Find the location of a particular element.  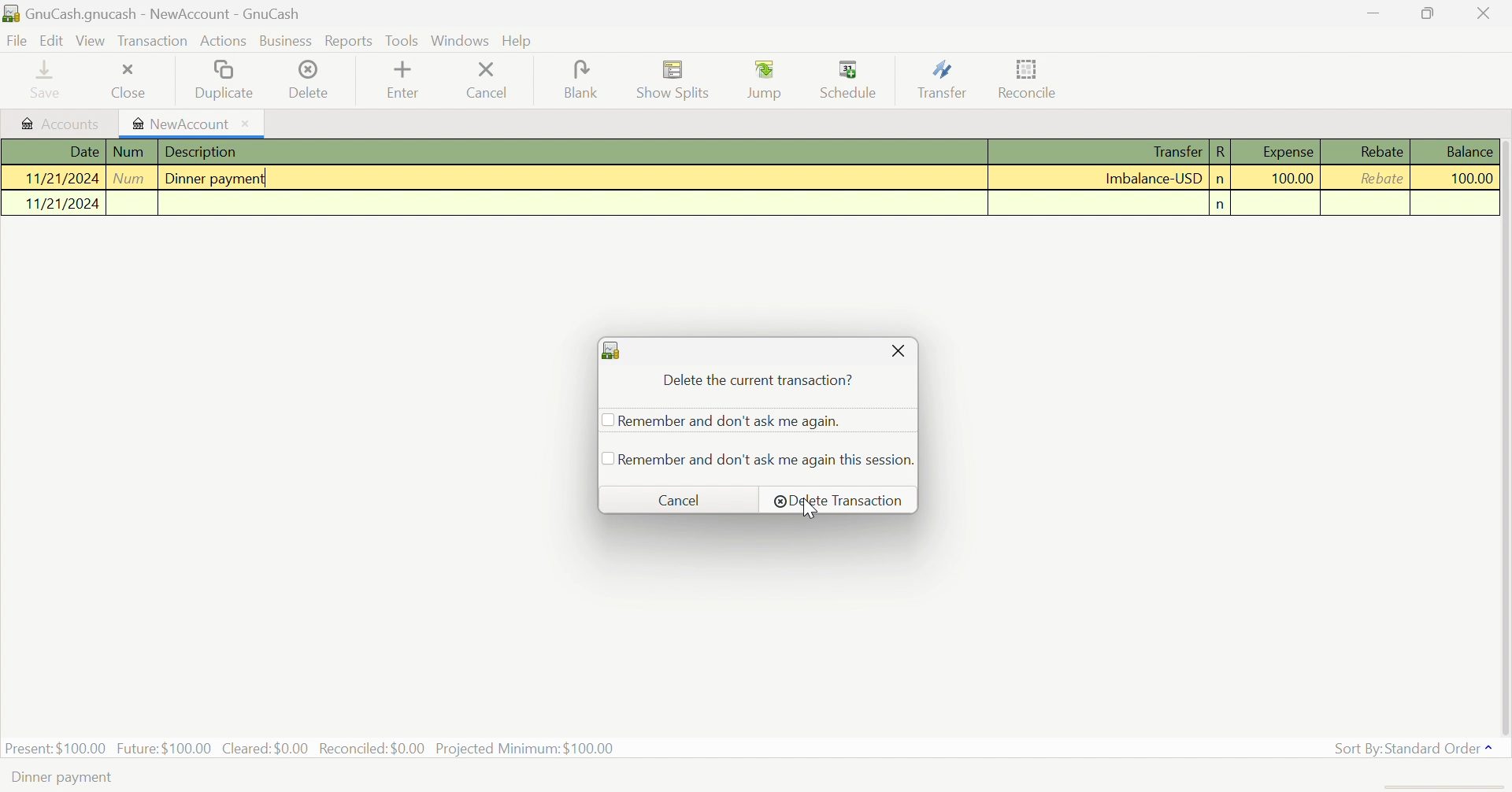

close is located at coordinates (130, 81).